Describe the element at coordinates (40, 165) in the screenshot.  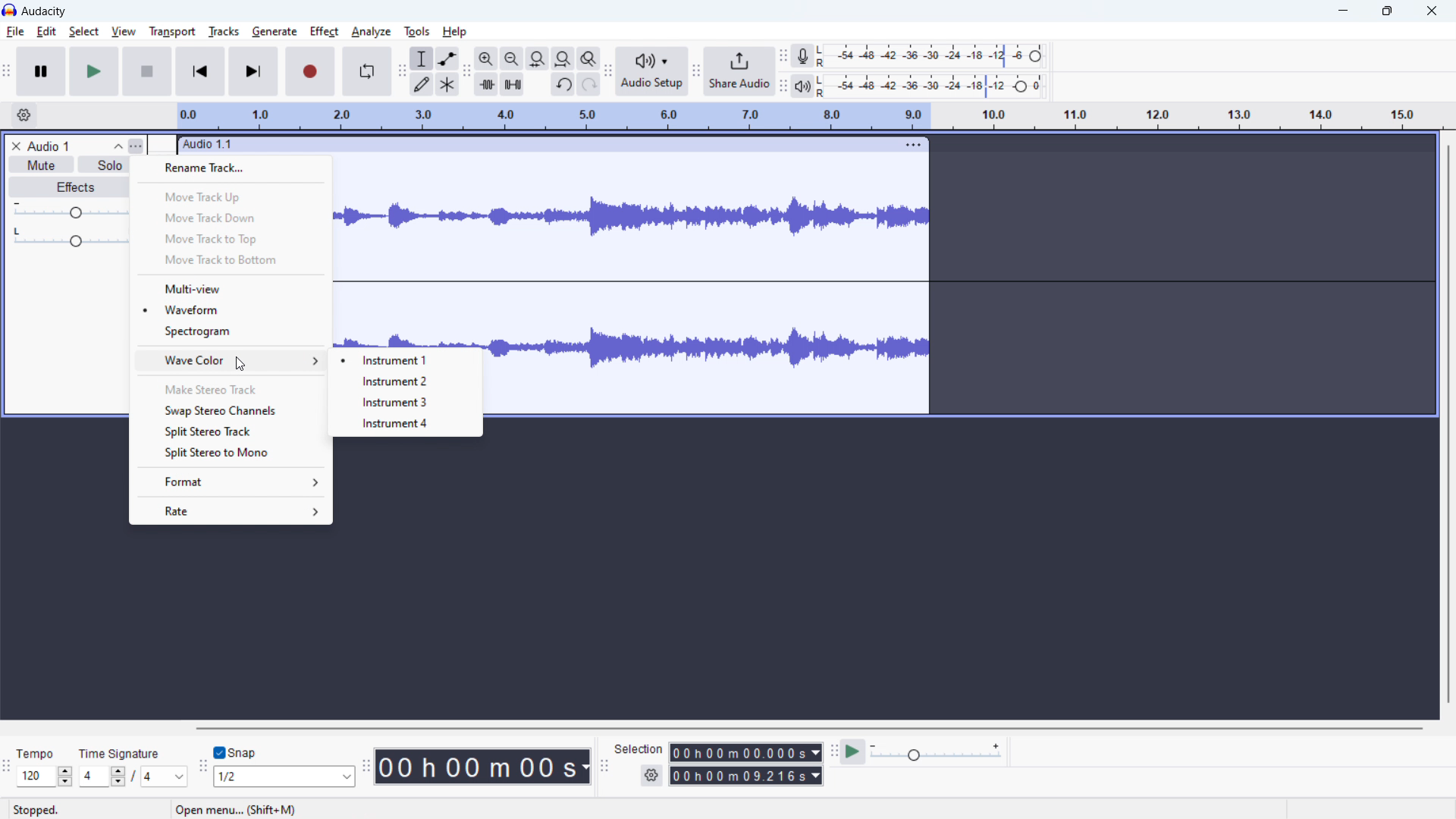
I see `mute` at that location.